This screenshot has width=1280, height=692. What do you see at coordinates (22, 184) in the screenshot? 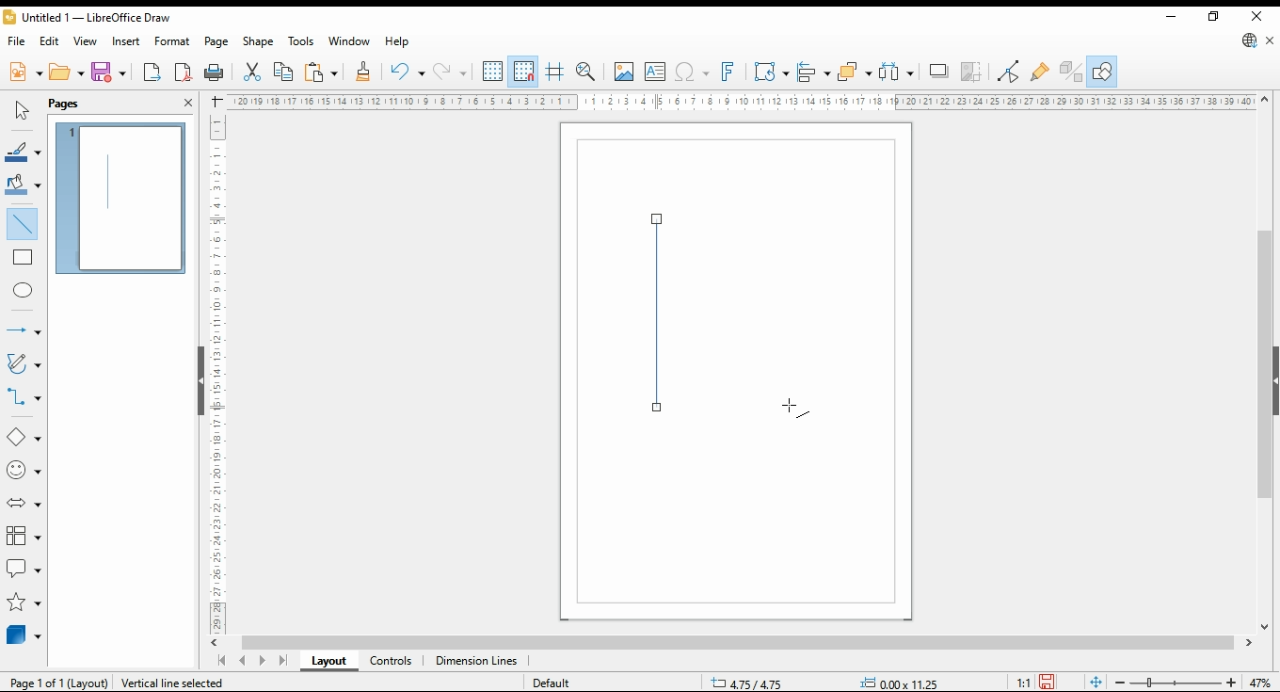
I see `fill color` at bounding box center [22, 184].